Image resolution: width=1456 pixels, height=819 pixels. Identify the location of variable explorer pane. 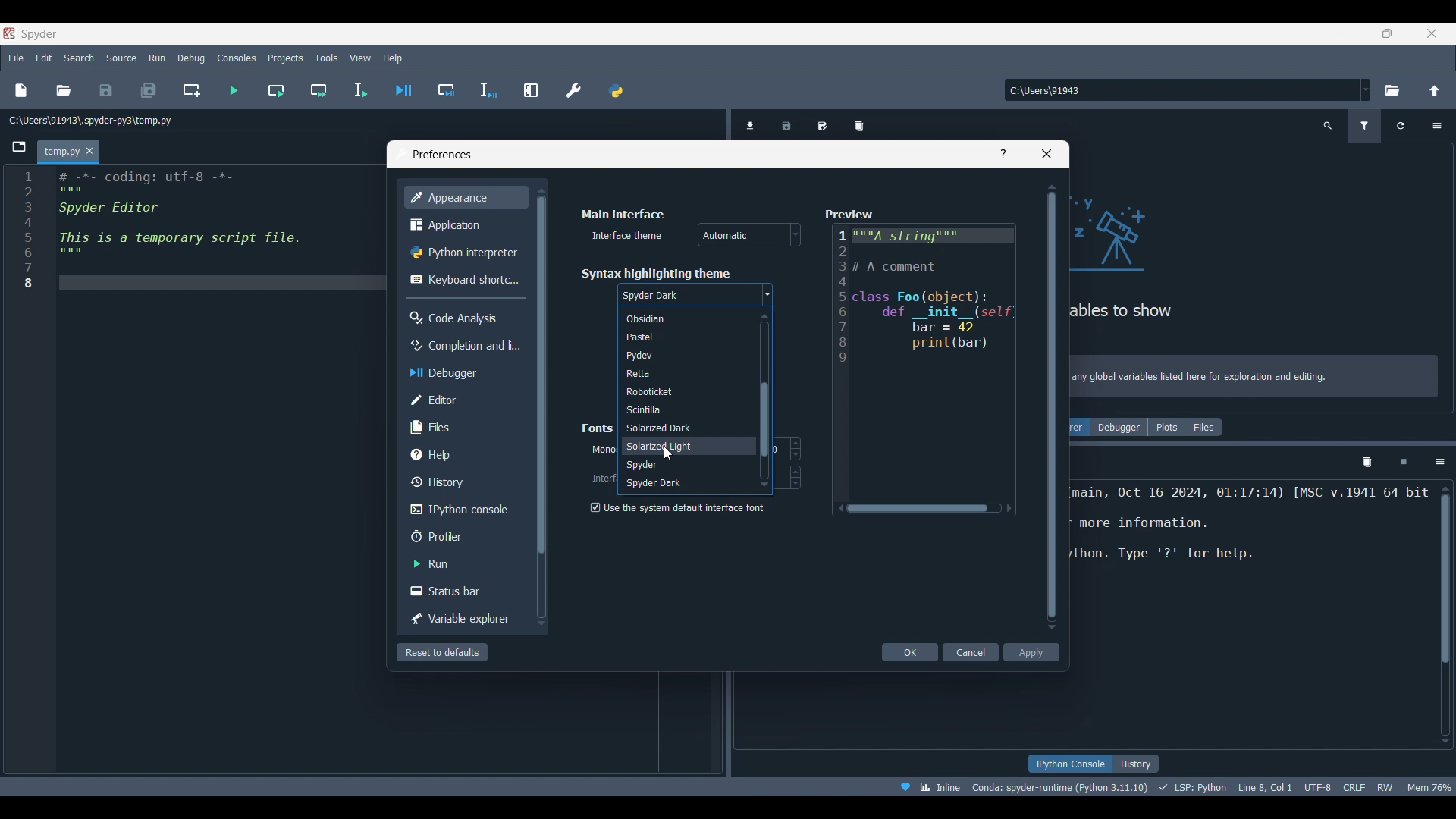
(1198, 261).